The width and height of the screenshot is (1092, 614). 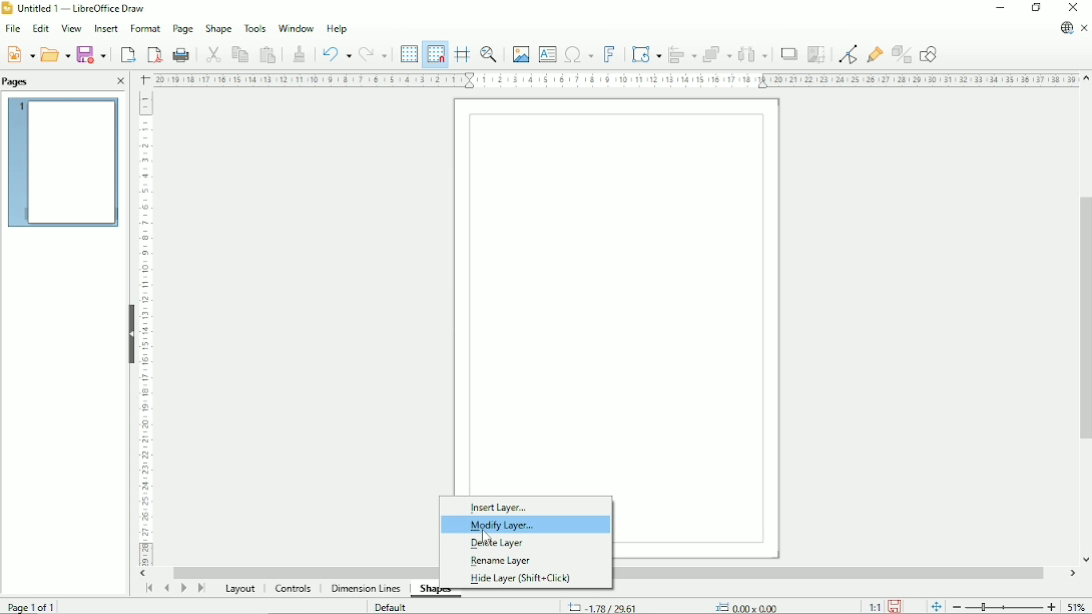 I want to click on Delete layer, so click(x=498, y=543).